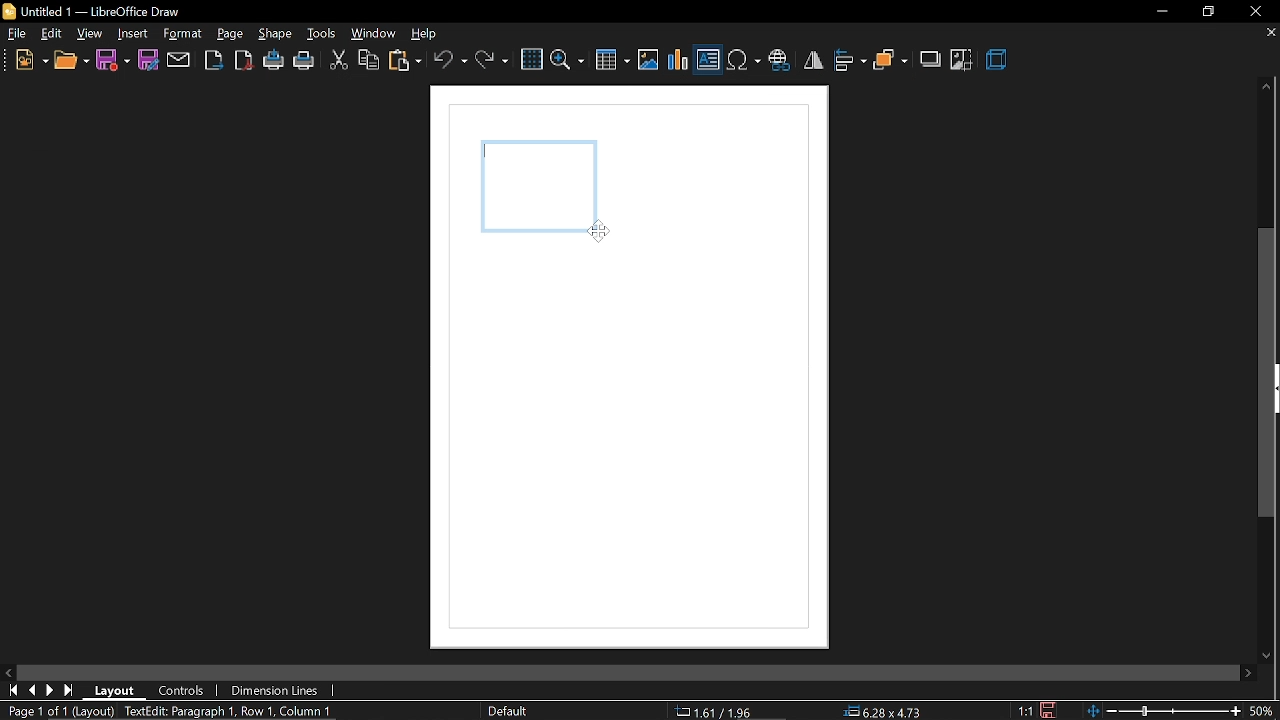 This screenshot has width=1280, height=720. Describe the element at coordinates (91, 34) in the screenshot. I see `view` at that location.